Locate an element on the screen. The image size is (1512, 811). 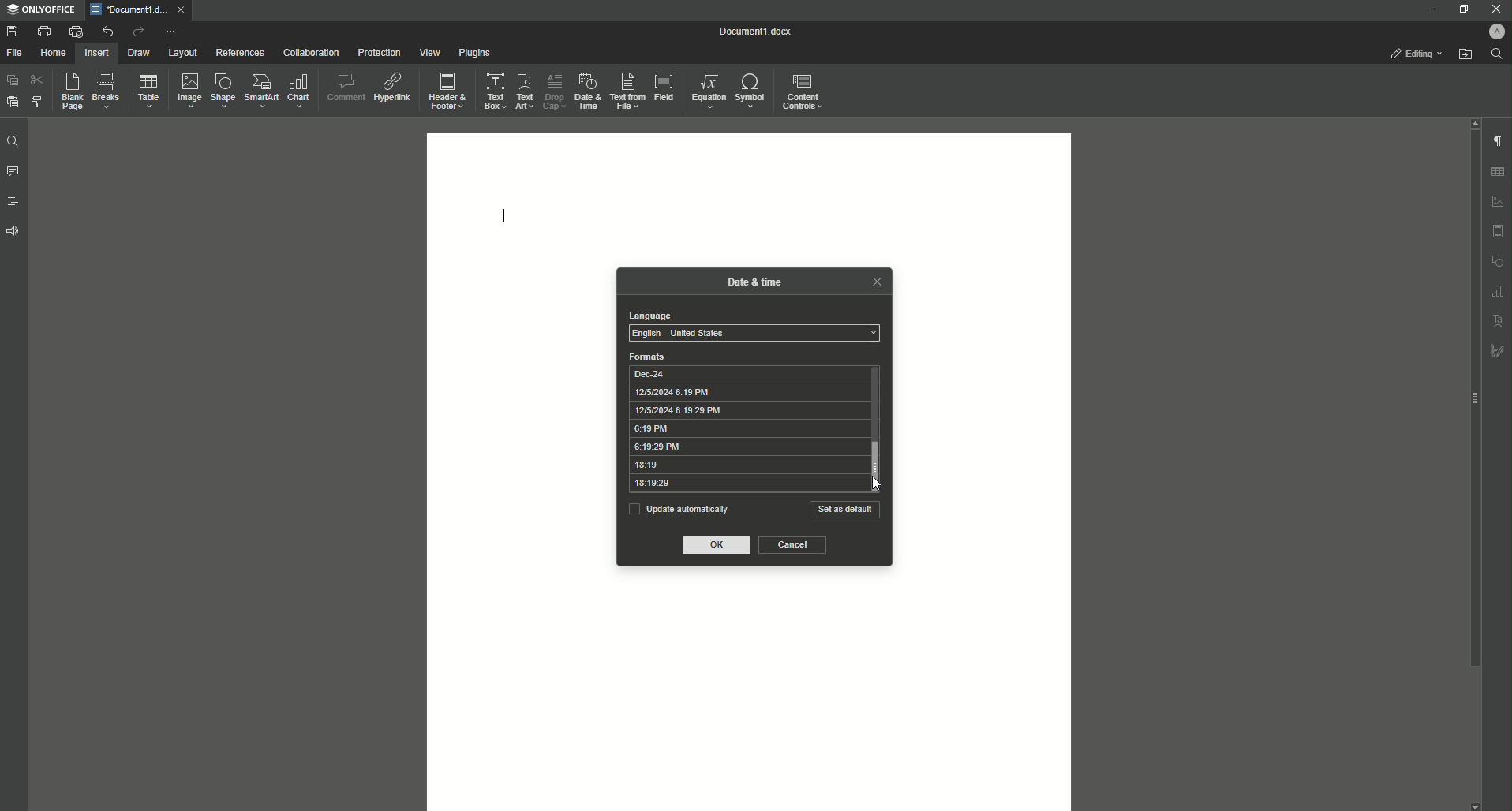
Text From File is located at coordinates (628, 92).